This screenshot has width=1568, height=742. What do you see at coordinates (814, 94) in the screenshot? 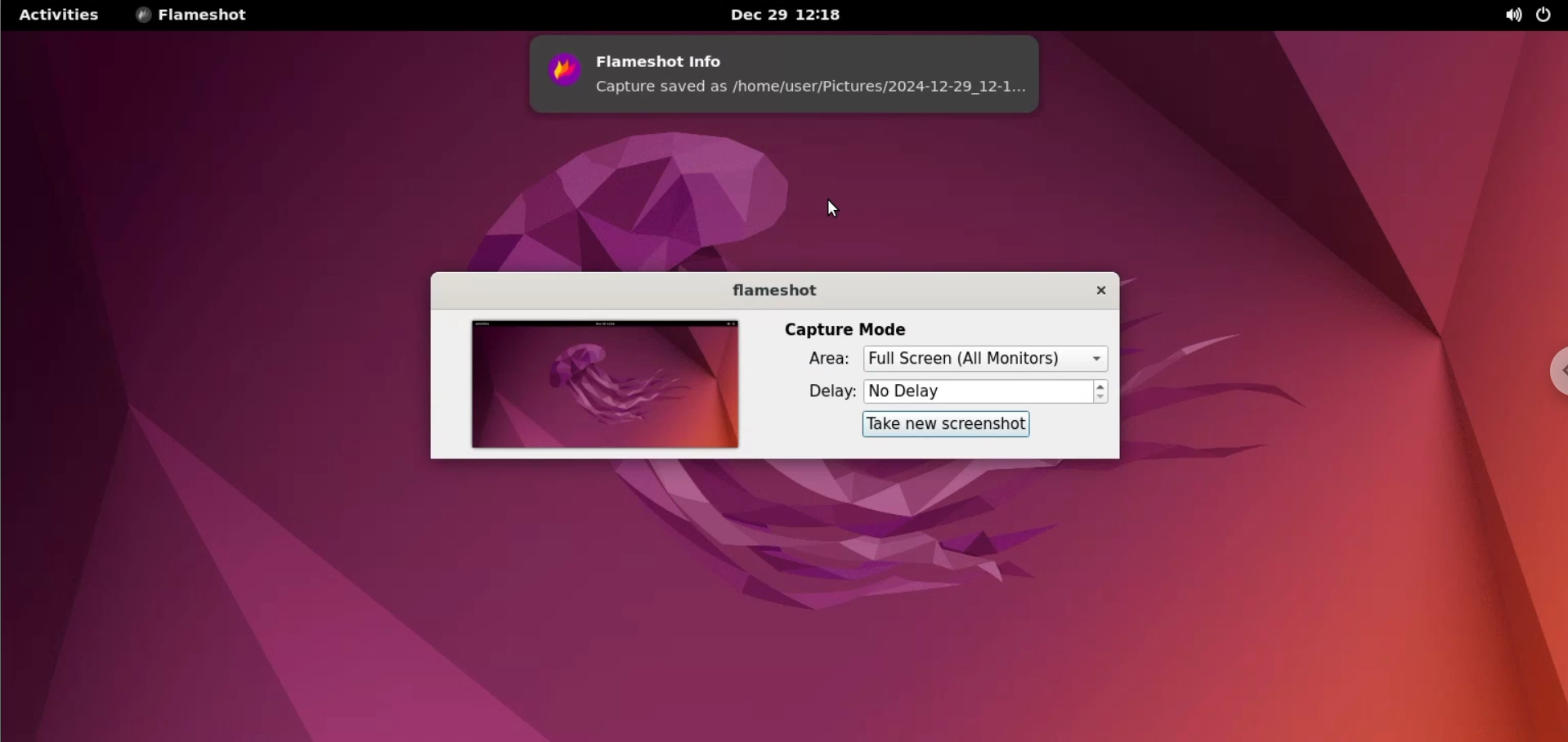
I see `capture saved as /home/user/pictures/2024-12-29` at bounding box center [814, 94].